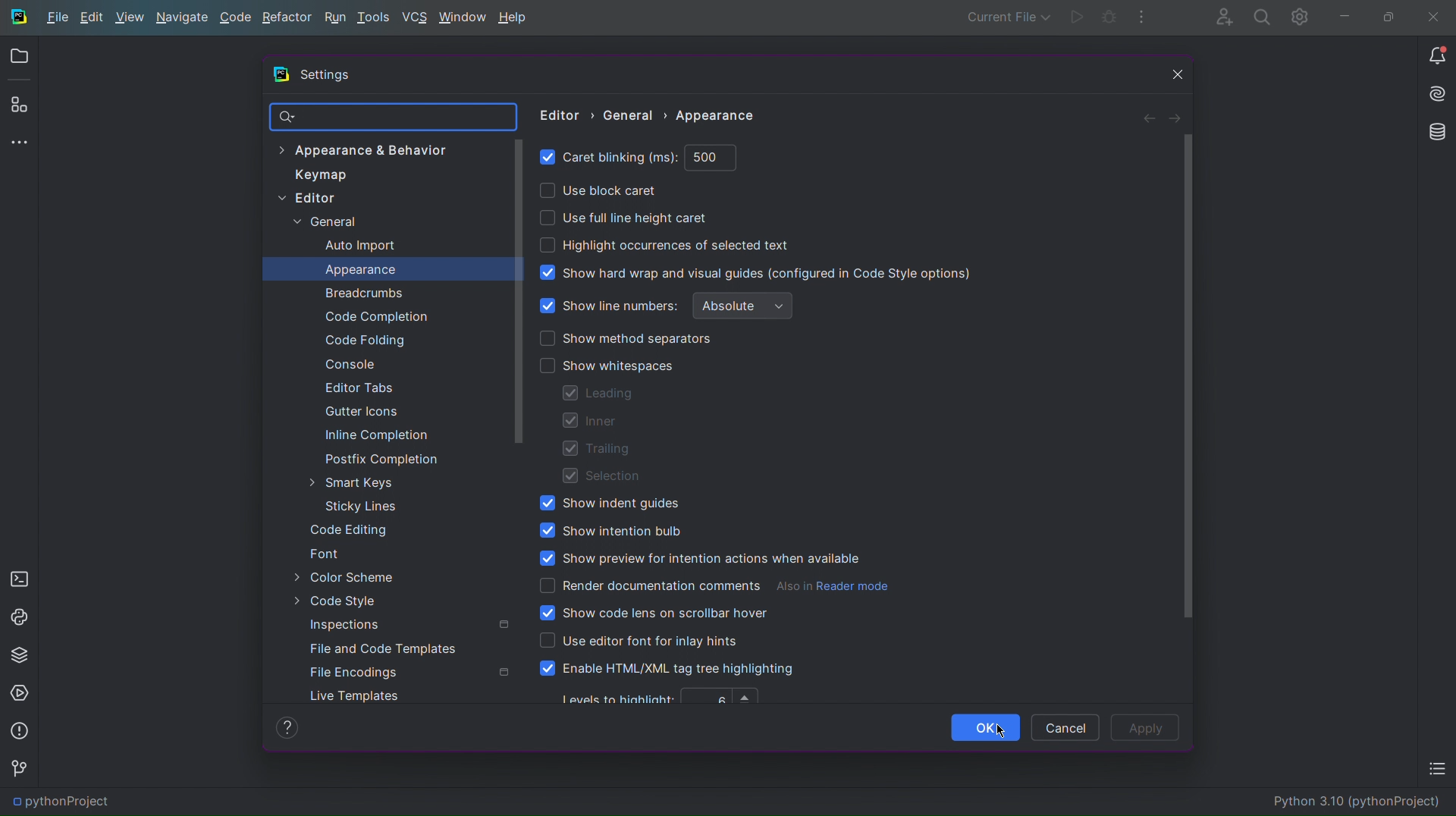 The height and width of the screenshot is (816, 1456). Describe the element at coordinates (362, 293) in the screenshot. I see `Breadcrumbs` at that location.